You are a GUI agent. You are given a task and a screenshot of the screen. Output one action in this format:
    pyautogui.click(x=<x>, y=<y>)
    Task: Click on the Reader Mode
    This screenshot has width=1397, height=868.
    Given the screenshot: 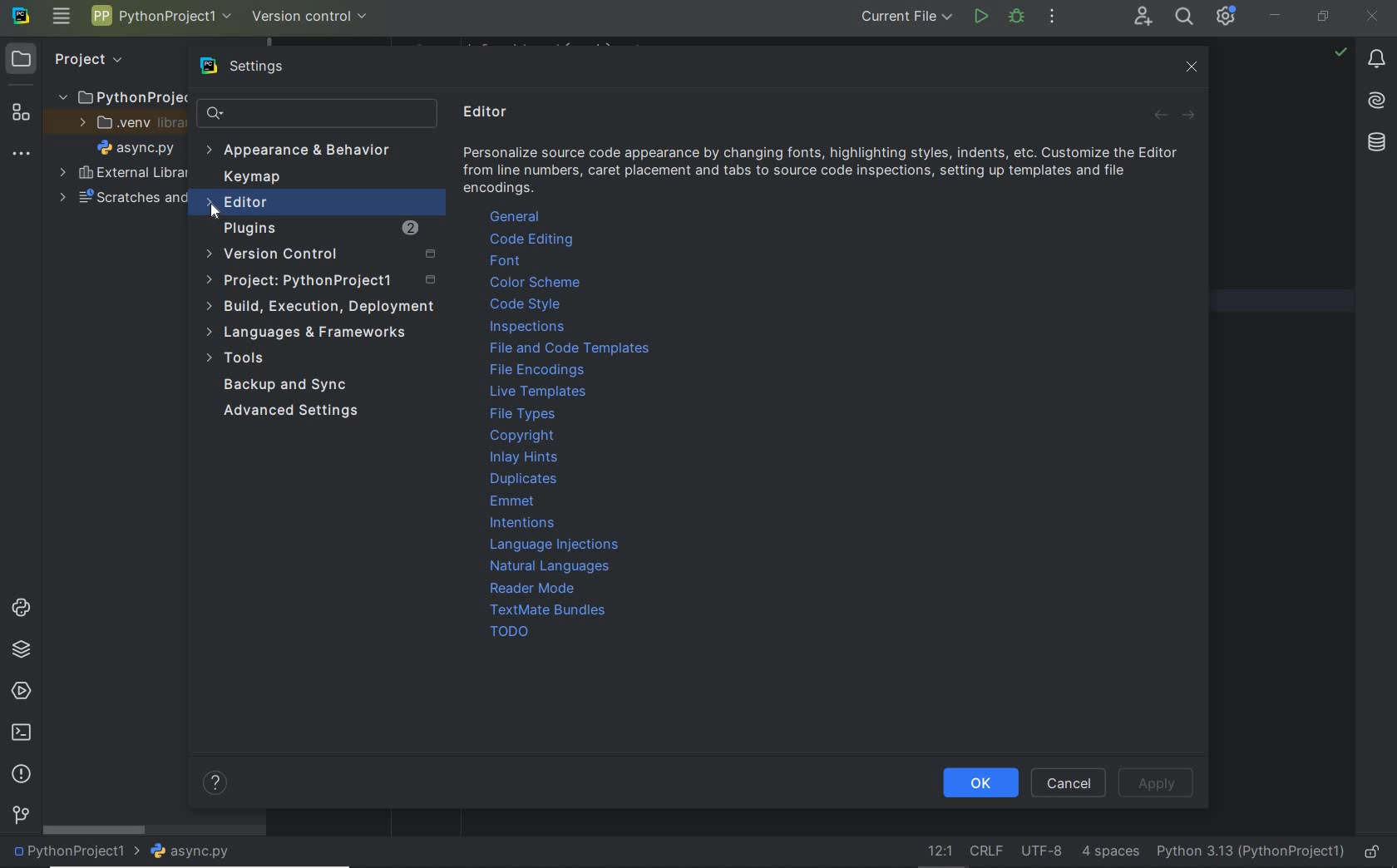 What is the action you would take?
    pyautogui.click(x=530, y=589)
    